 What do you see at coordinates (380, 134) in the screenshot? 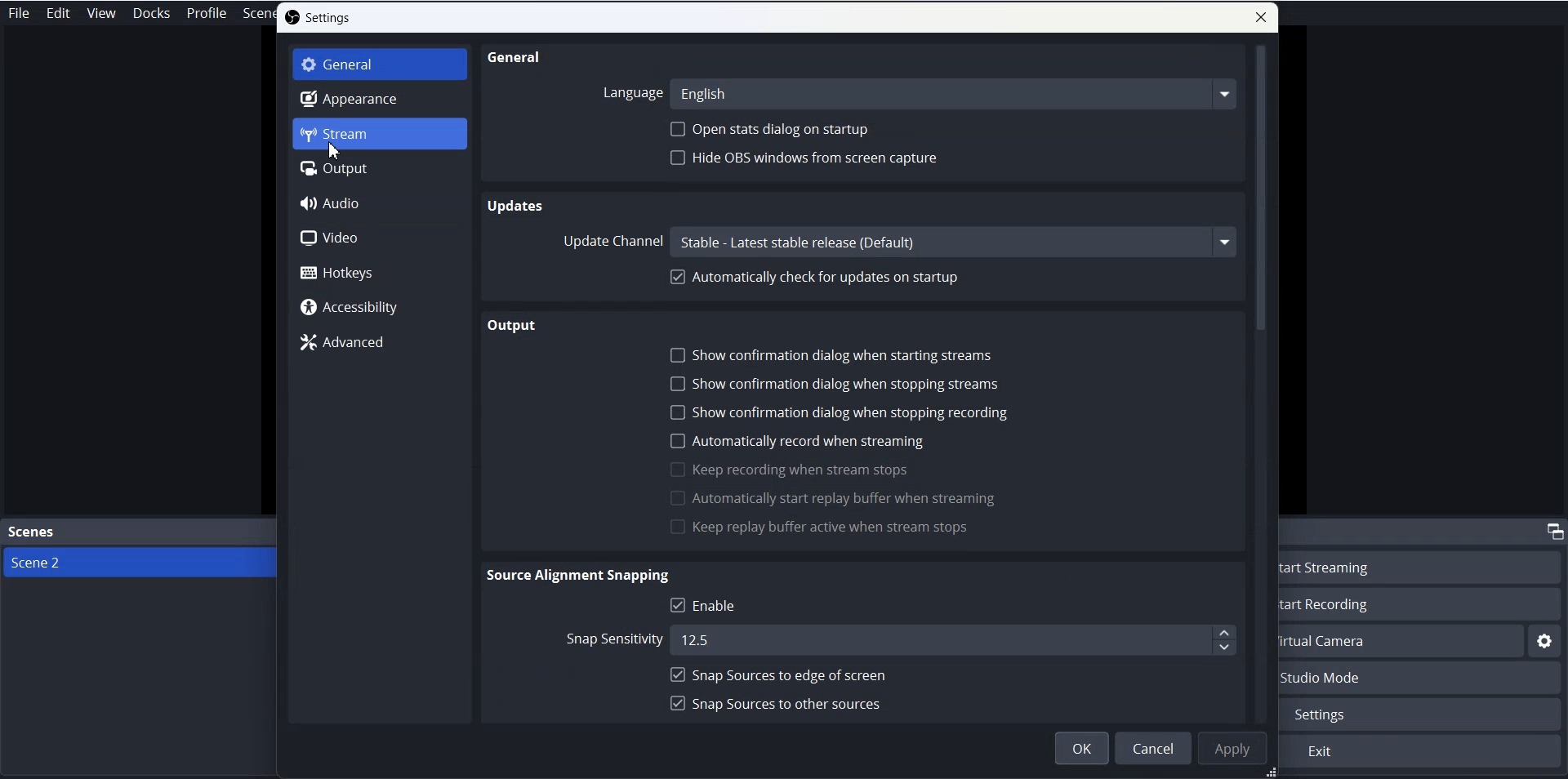
I see `Stream` at bounding box center [380, 134].